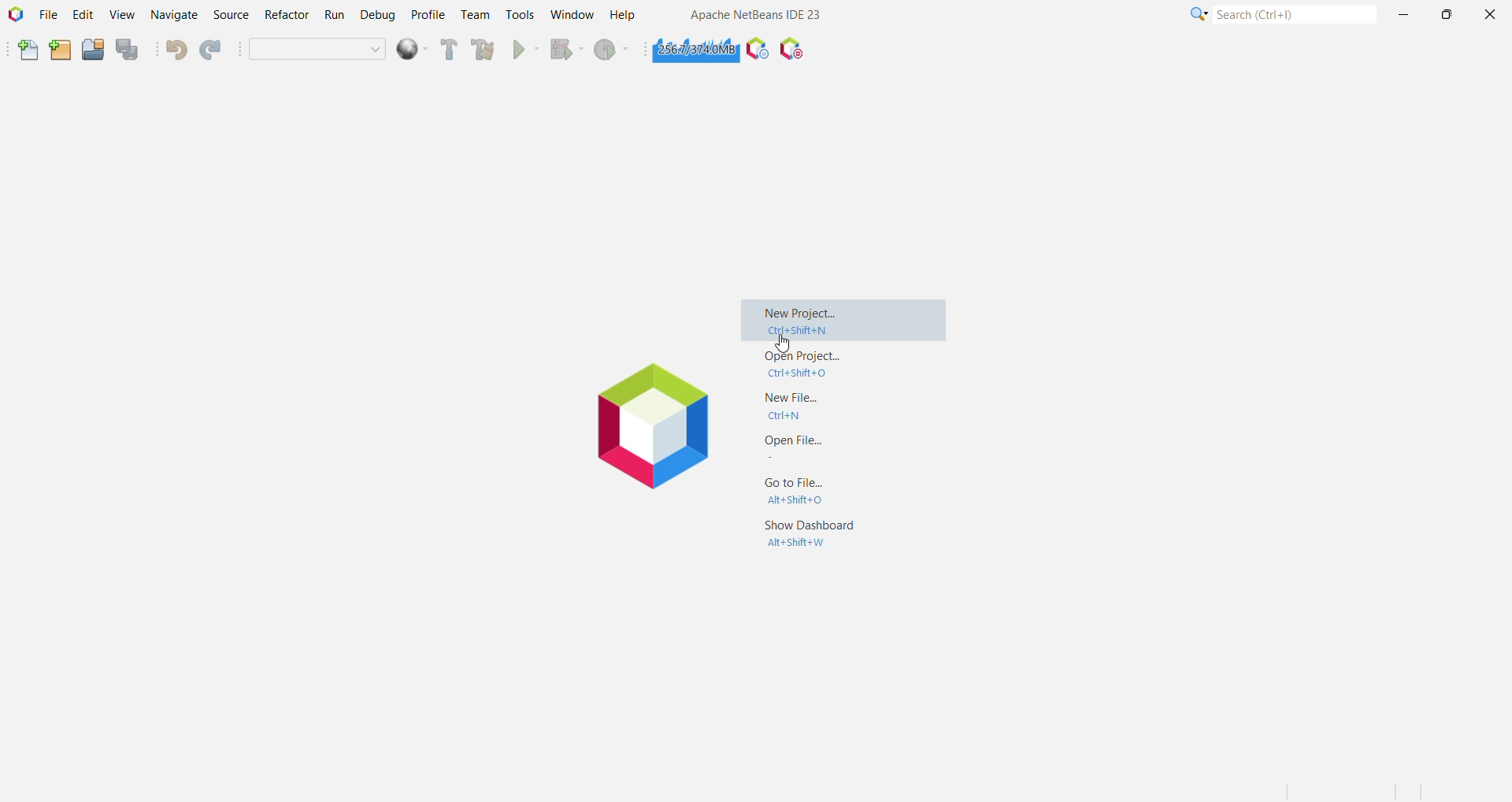  What do you see at coordinates (613, 50) in the screenshot?
I see `Profile Project` at bounding box center [613, 50].